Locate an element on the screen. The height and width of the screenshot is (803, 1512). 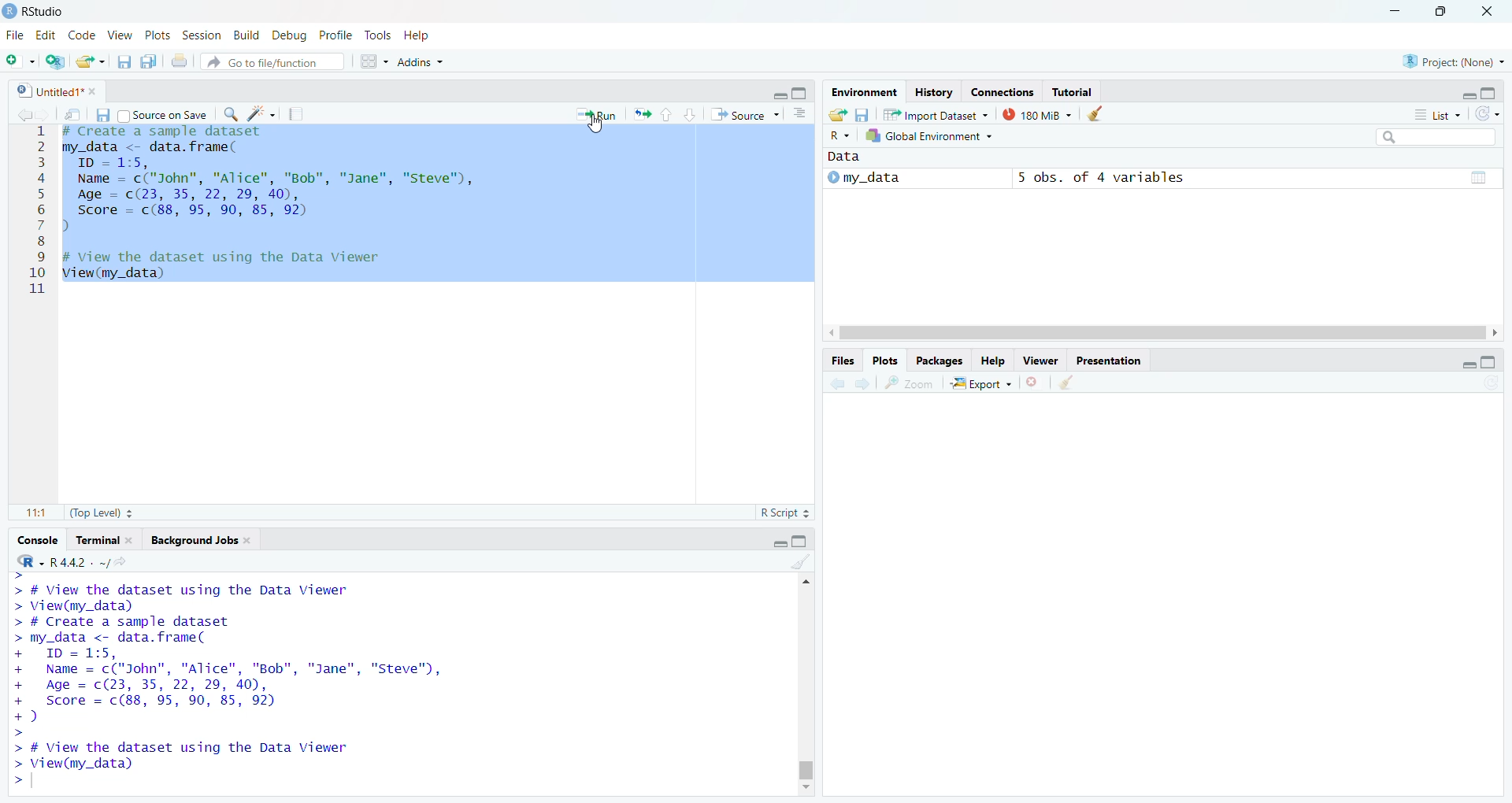
Maximize is located at coordinates (1440, 12).